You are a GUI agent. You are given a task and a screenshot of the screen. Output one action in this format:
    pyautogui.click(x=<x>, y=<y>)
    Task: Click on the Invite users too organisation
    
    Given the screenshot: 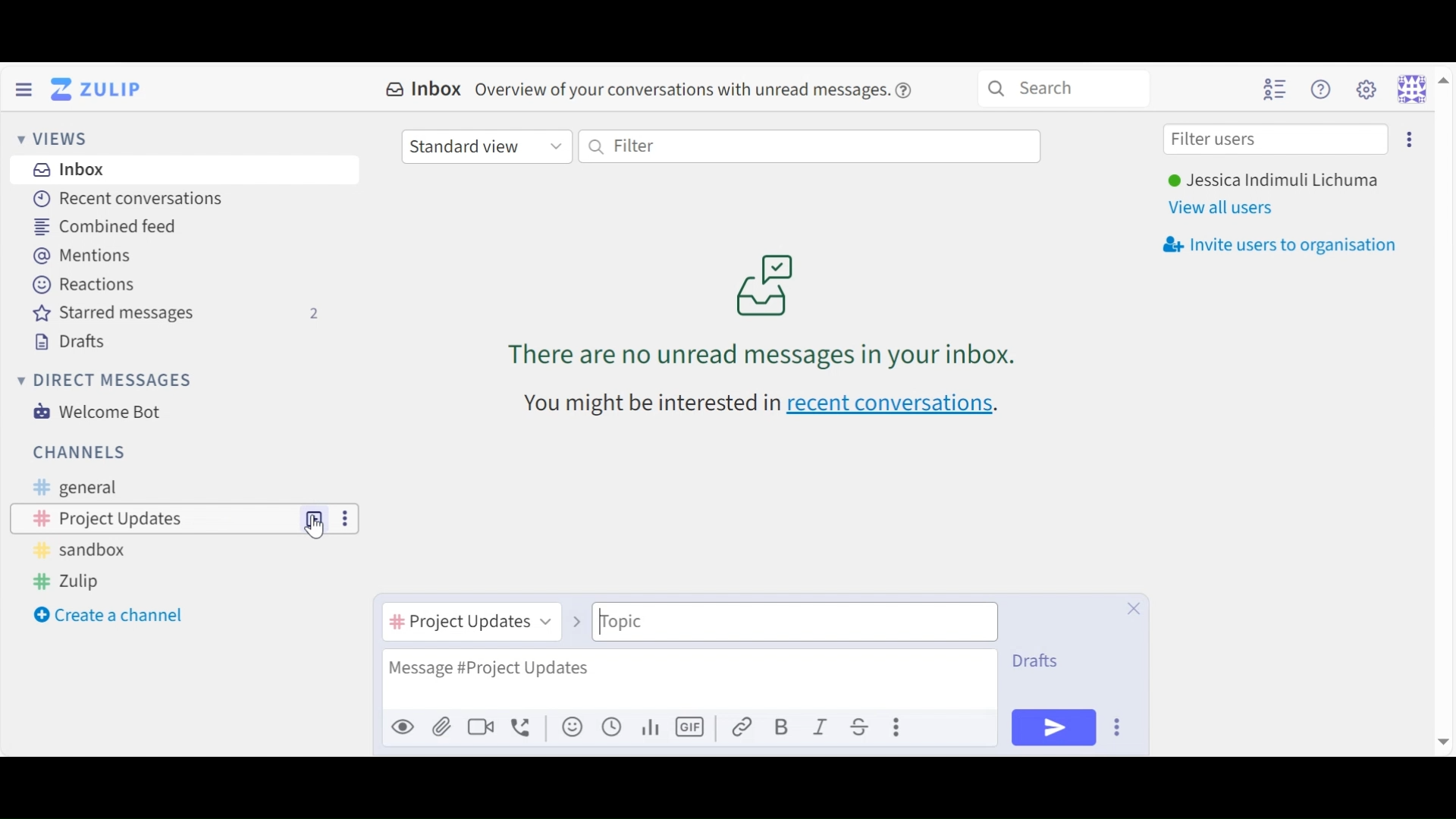 What is the action you would take?
    pyautogui.click(x=1408, y=138)
    